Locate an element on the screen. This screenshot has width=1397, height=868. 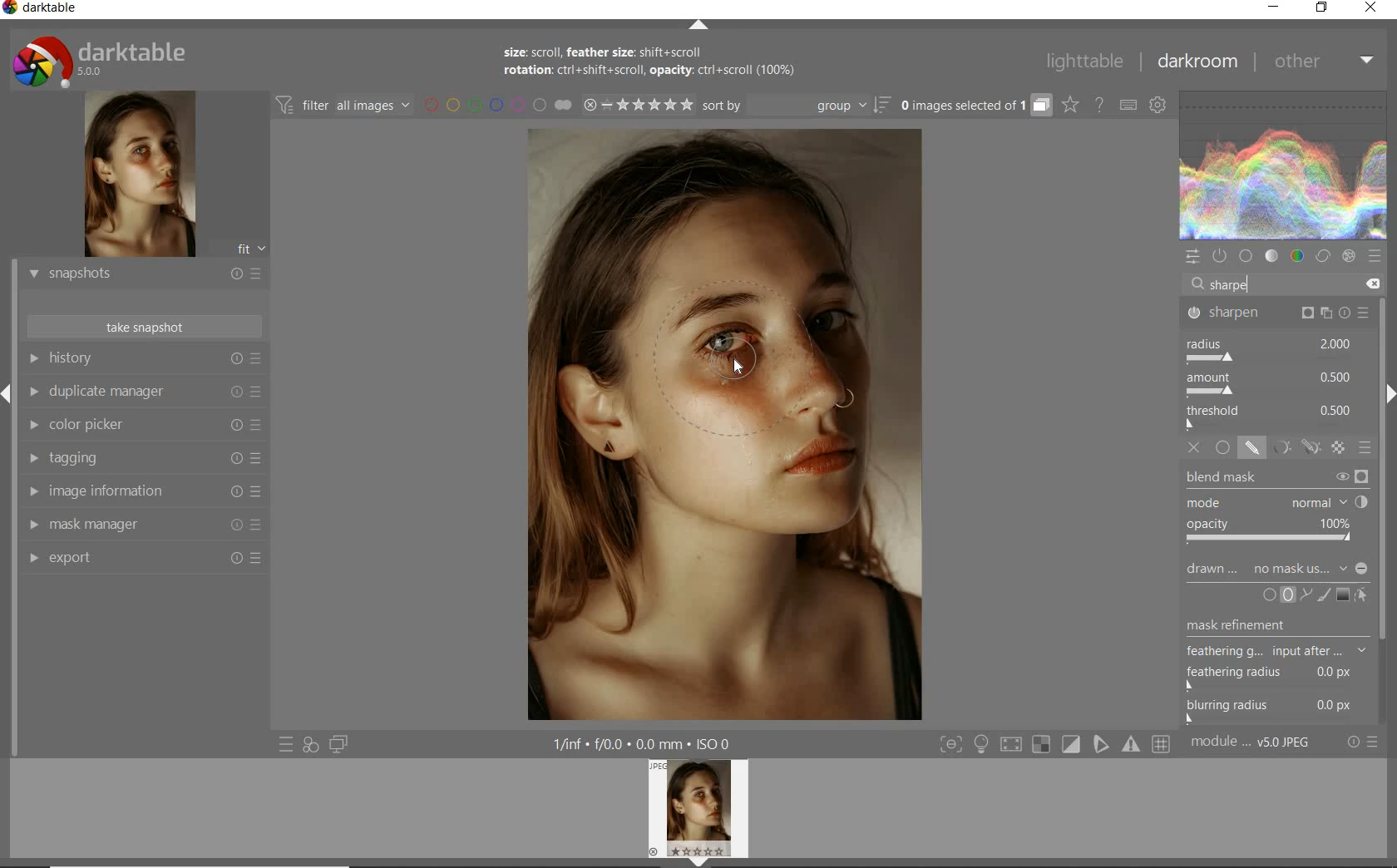
FEATHERING G...Input after is located at coordinates (1262, 649).